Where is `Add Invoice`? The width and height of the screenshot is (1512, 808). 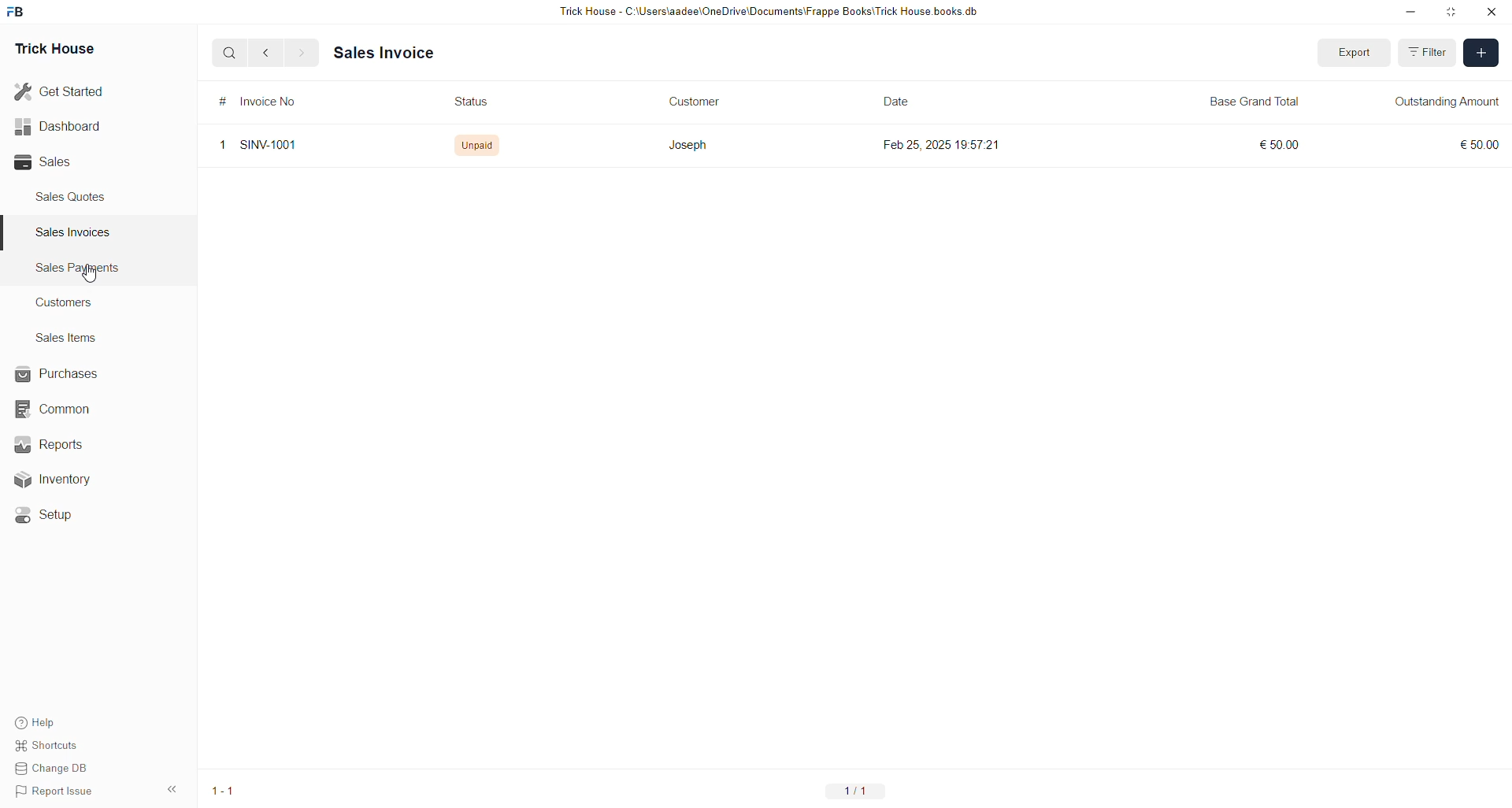 Add Invoice is located at coordinates (1482, 53).